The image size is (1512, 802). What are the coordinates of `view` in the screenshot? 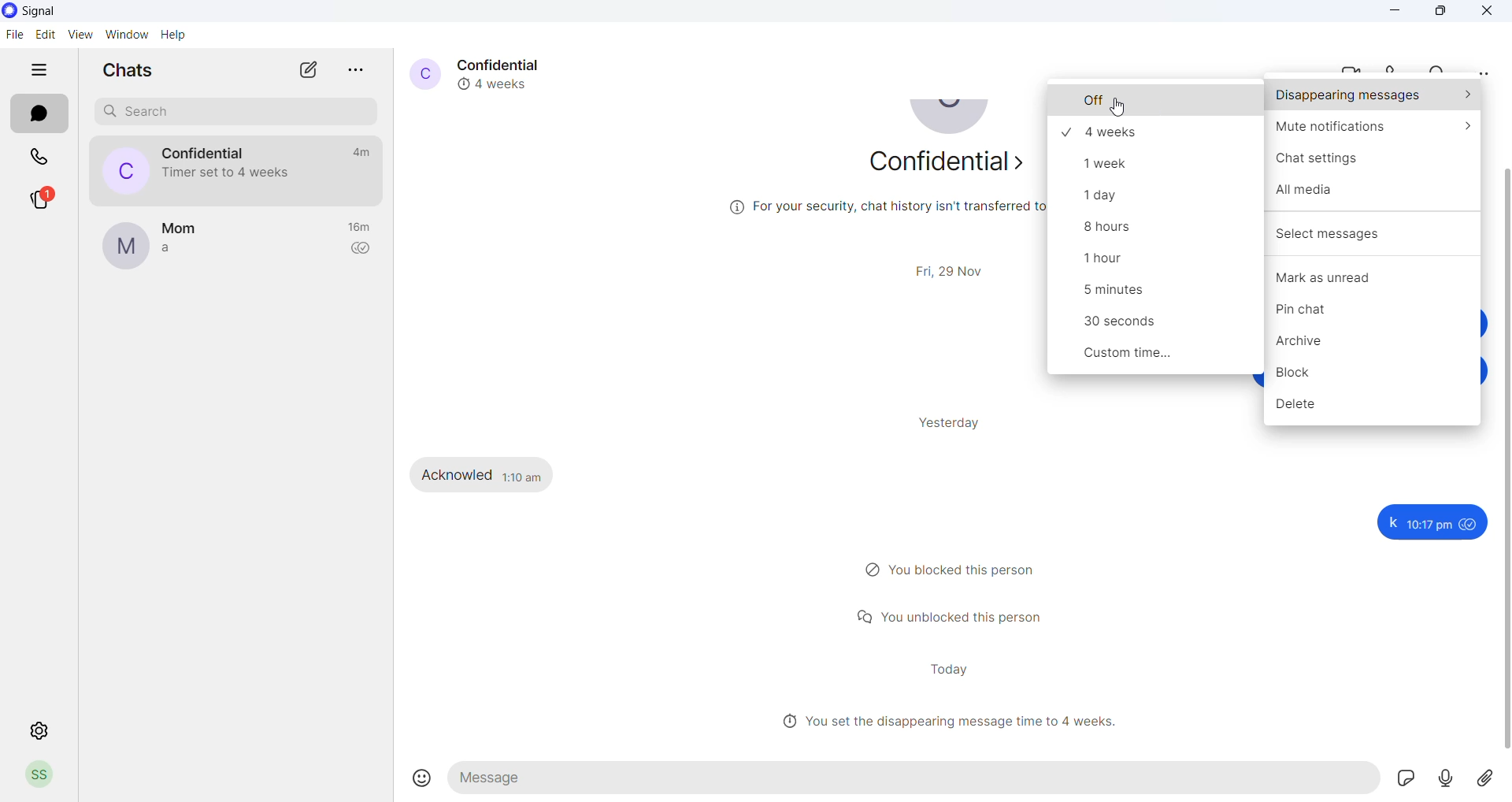 It's located at (80, 35).